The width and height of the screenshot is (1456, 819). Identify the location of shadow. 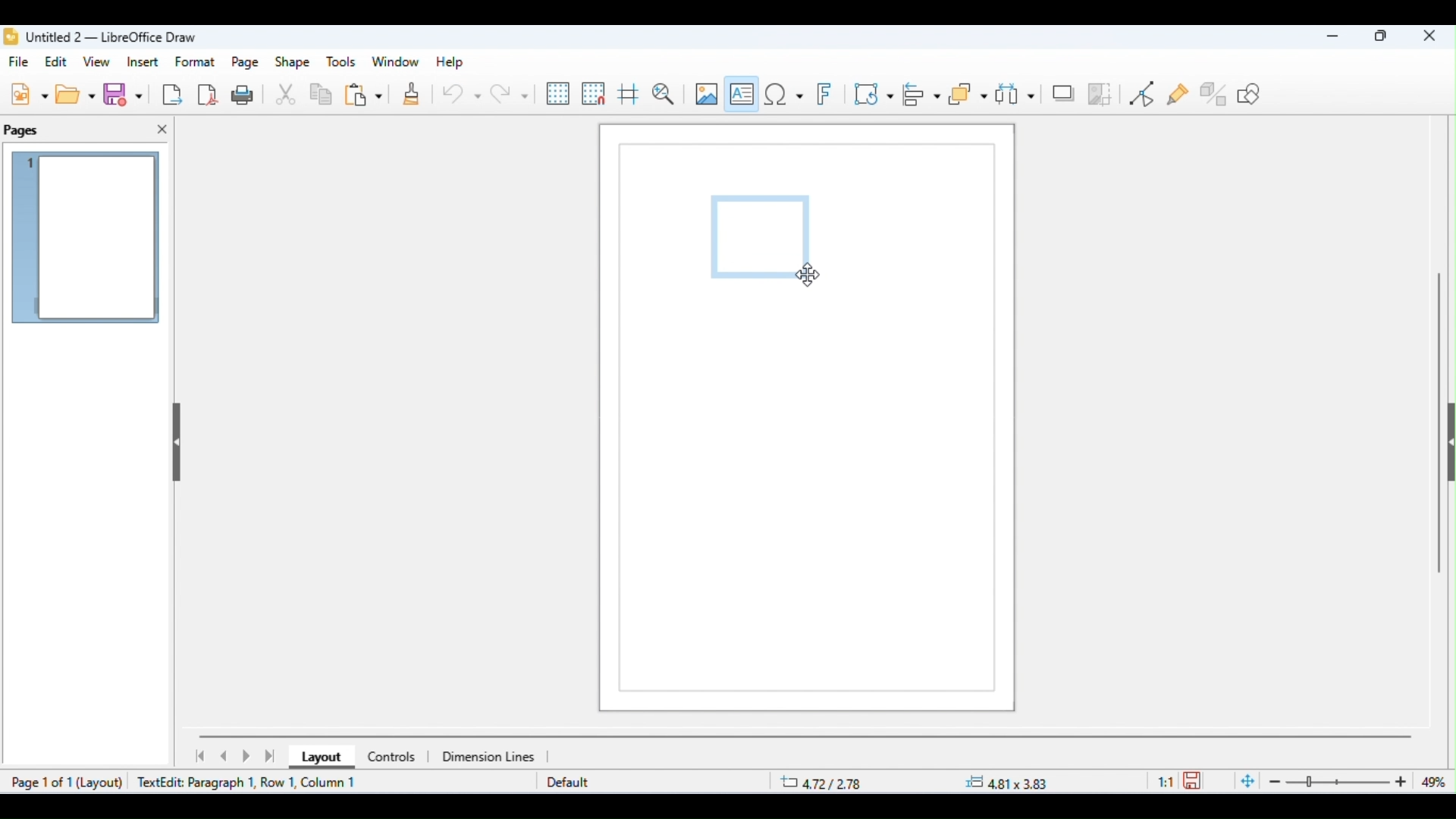
(1063, 92).